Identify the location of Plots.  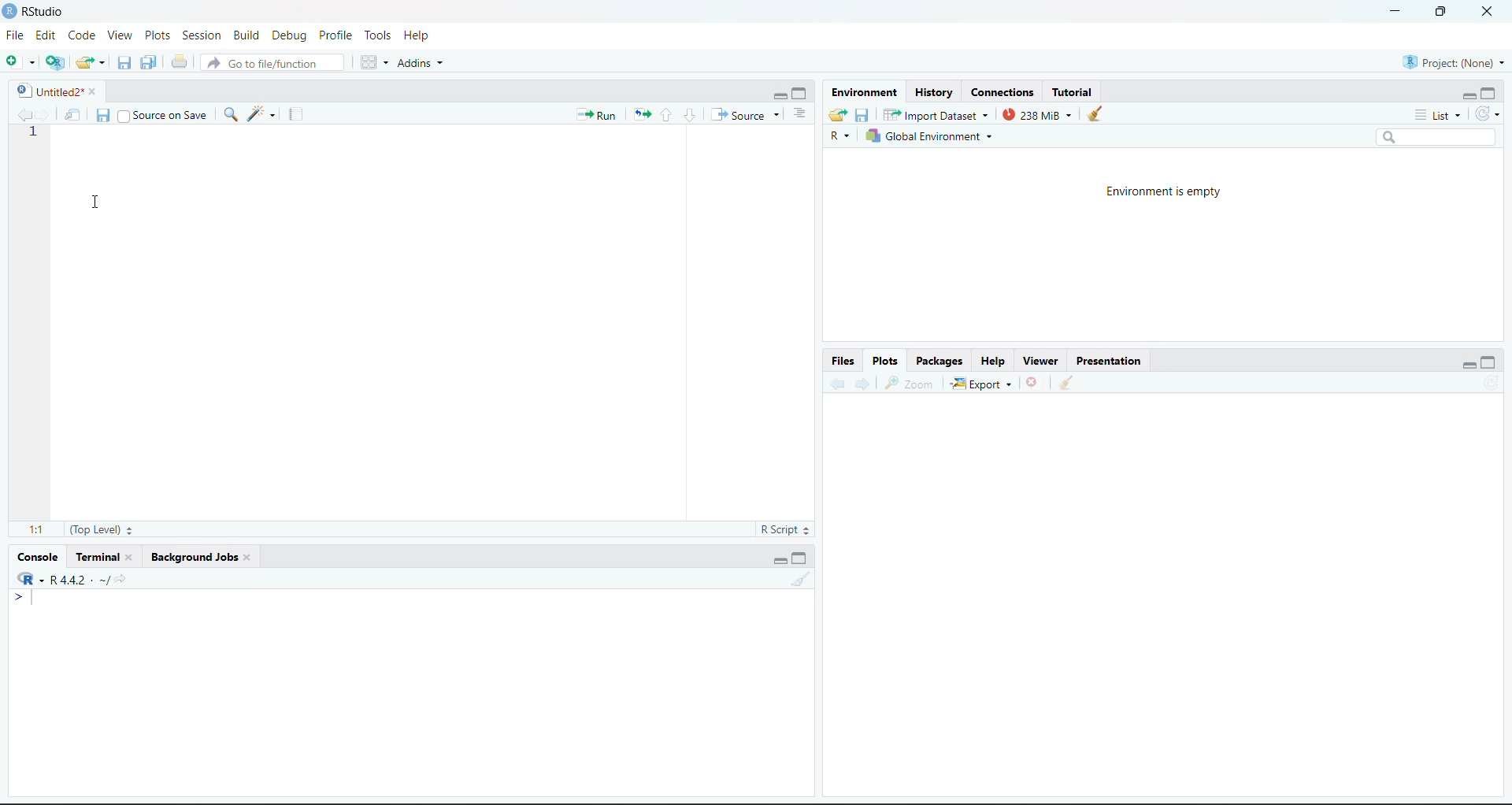
(157, 35).